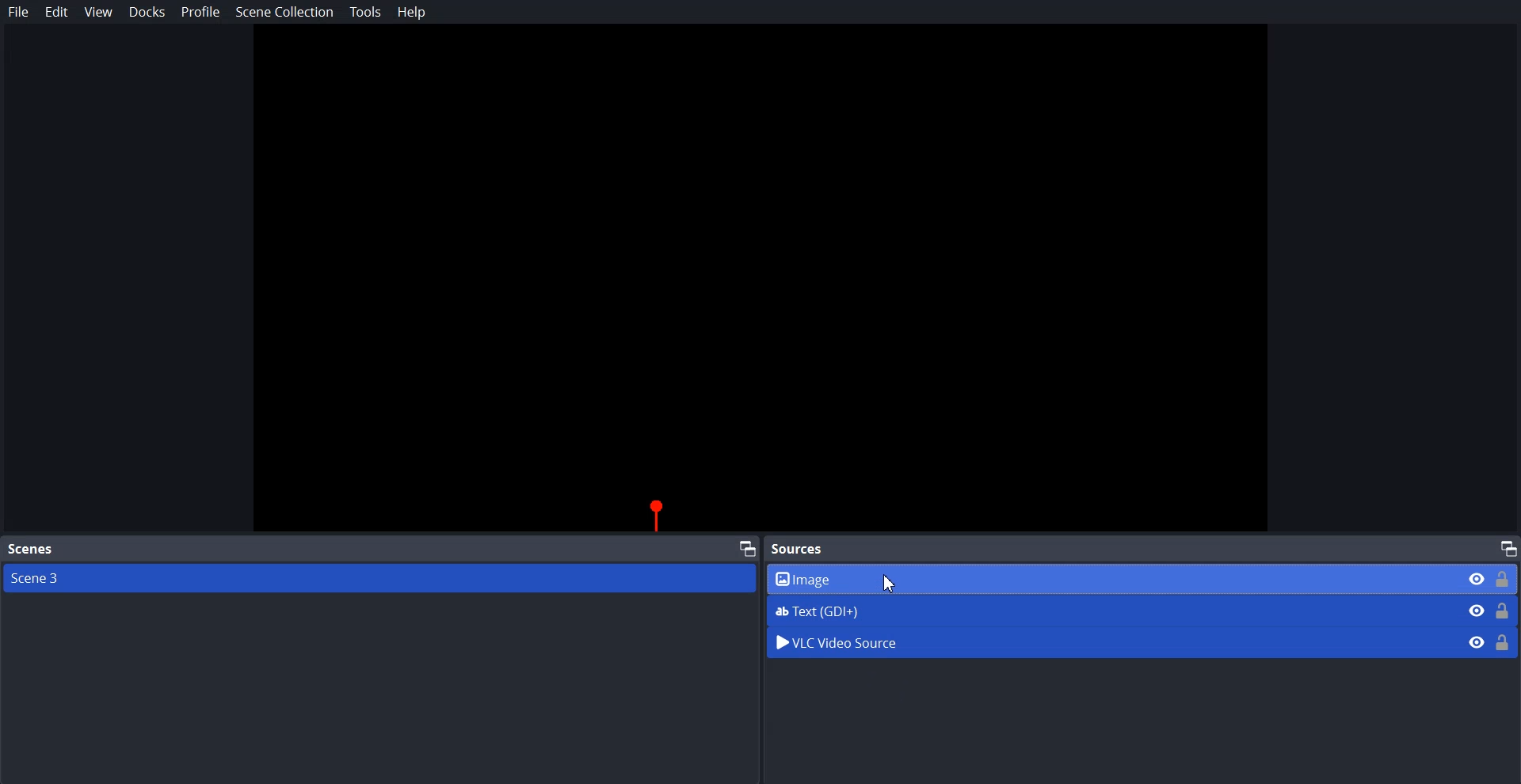 Image resolution: width=1521 pixels, height=784 pixels. I want to click on View, so click(98, 13).